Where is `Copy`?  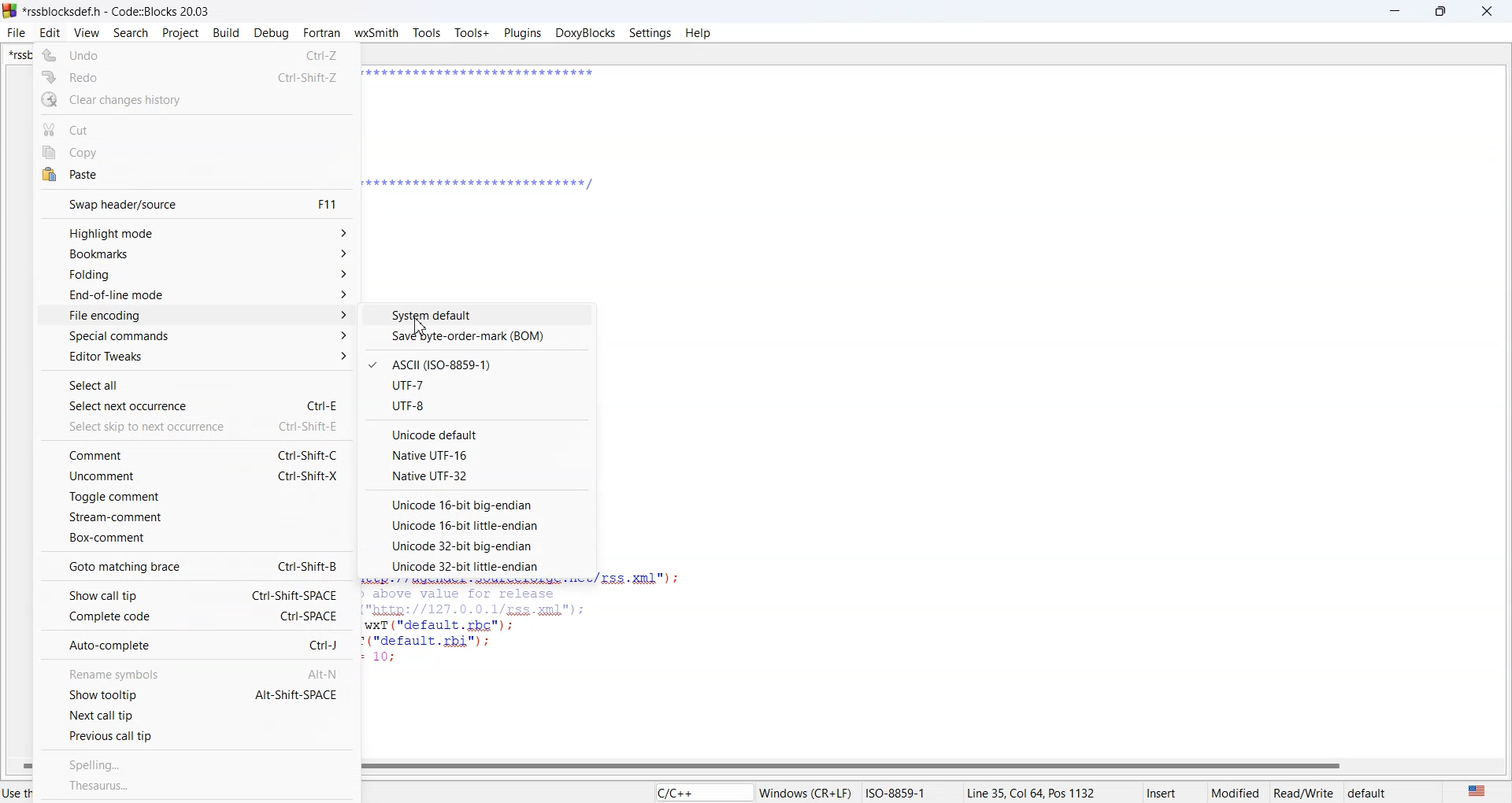
Copy is located at coordinates (196, 151).